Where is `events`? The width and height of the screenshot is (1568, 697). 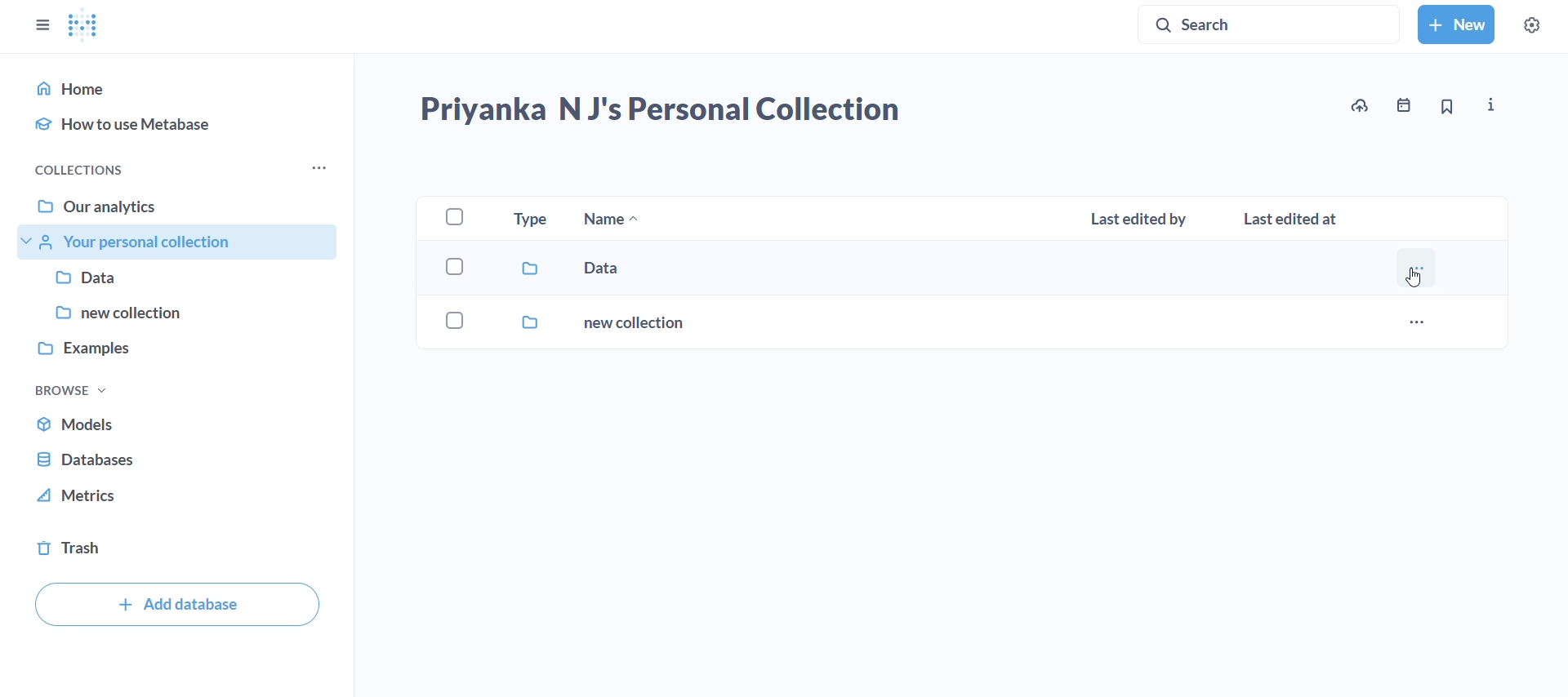
events is located at coordinates (1404, 107).